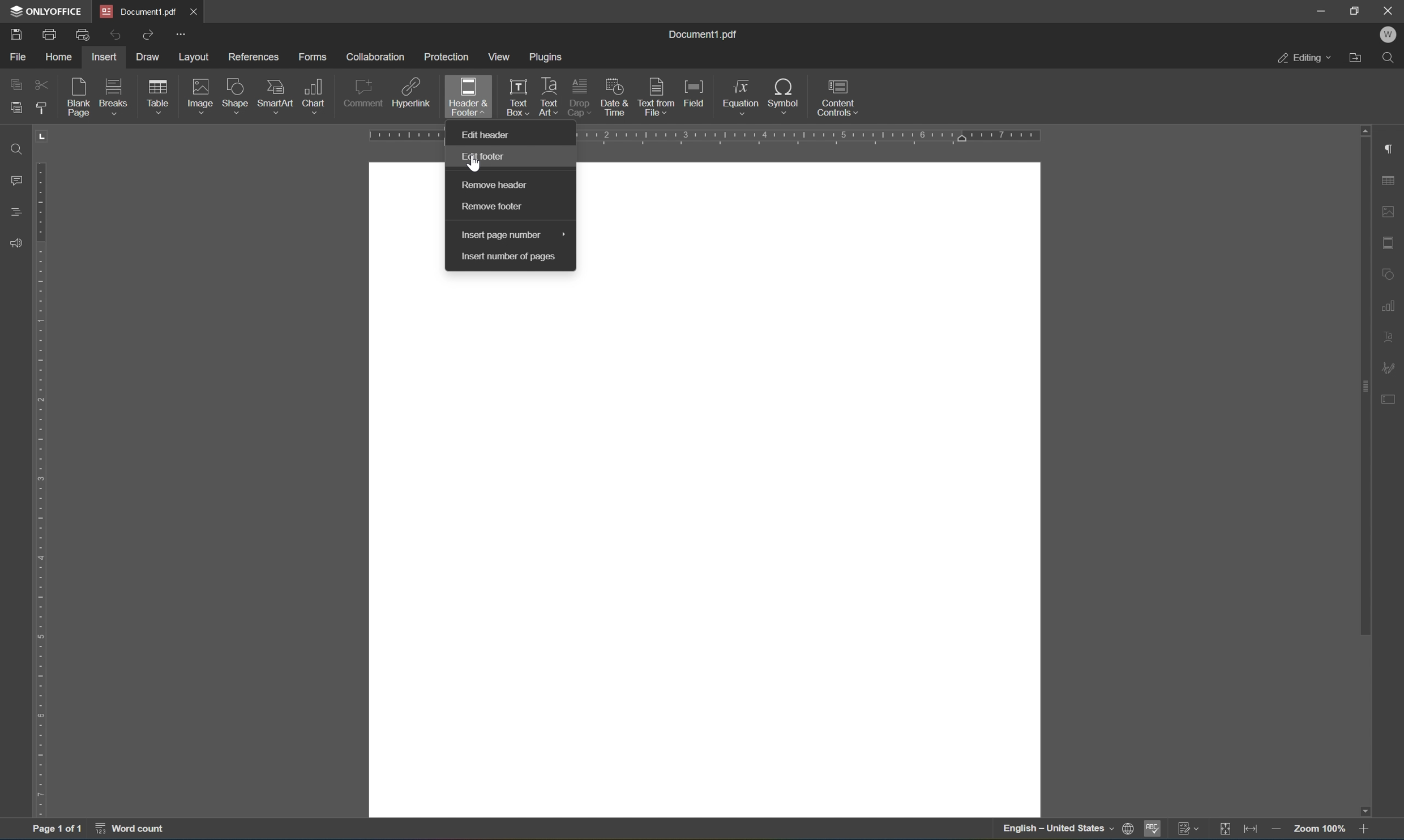 The width and height of the screenshot is (1404, 840). What do you see at coordinates (486, 155) in the screenshot?
I see `edit header` at bounding box center [486, 155].